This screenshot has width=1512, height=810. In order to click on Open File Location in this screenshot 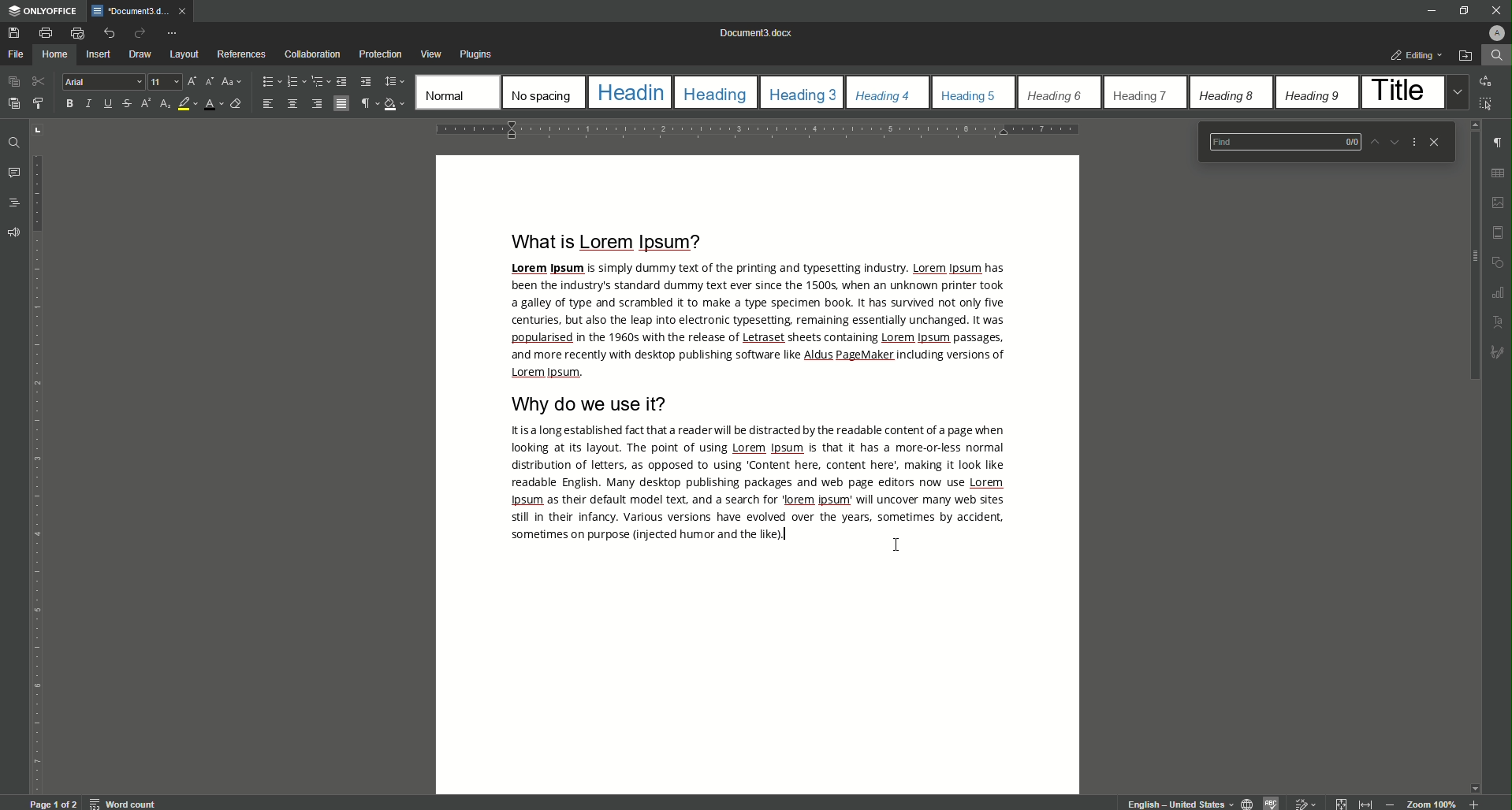, I will do `click(1465, 54)`.